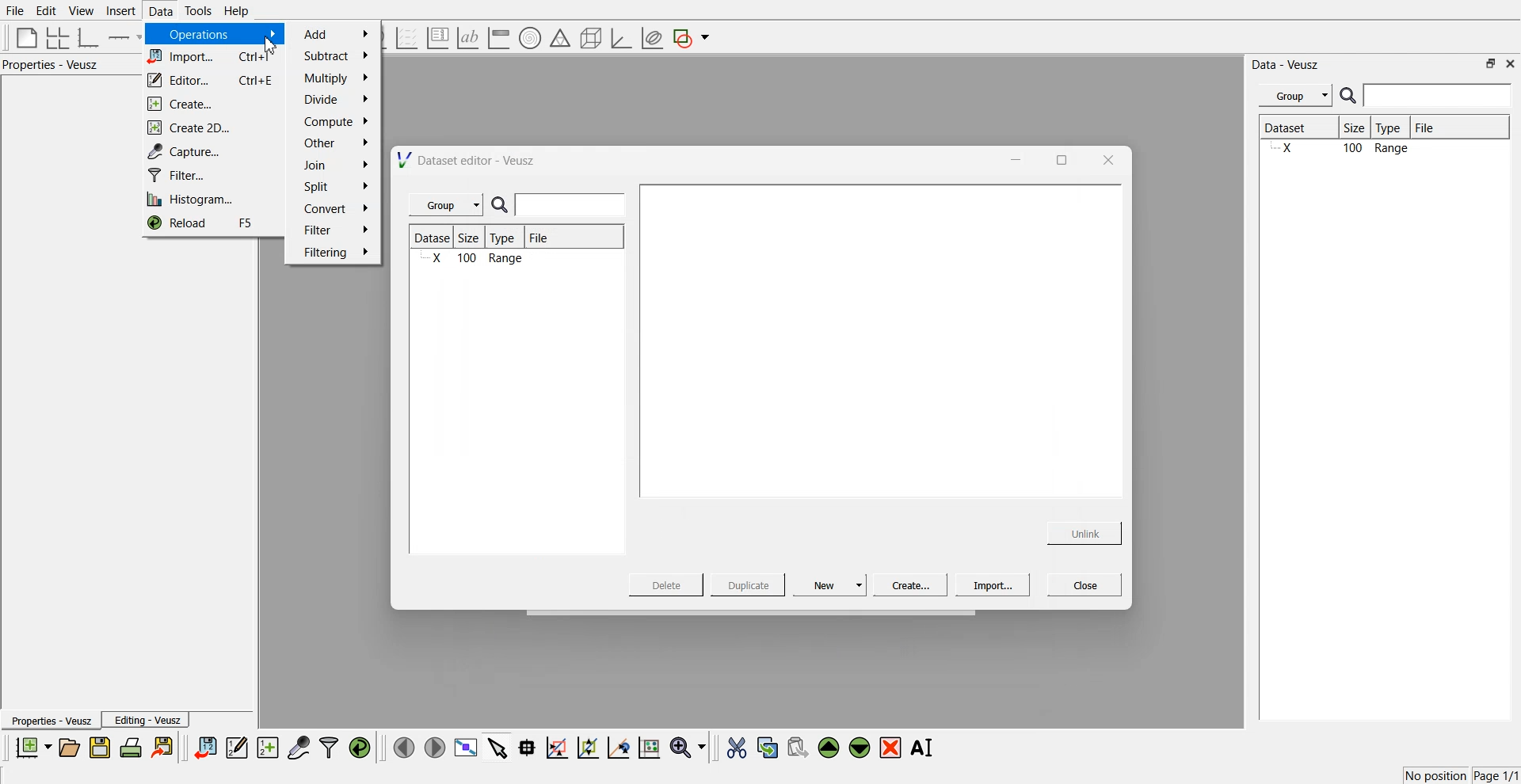 The image size is (1521, 784). I want to click on Create..., so click(908, 584).